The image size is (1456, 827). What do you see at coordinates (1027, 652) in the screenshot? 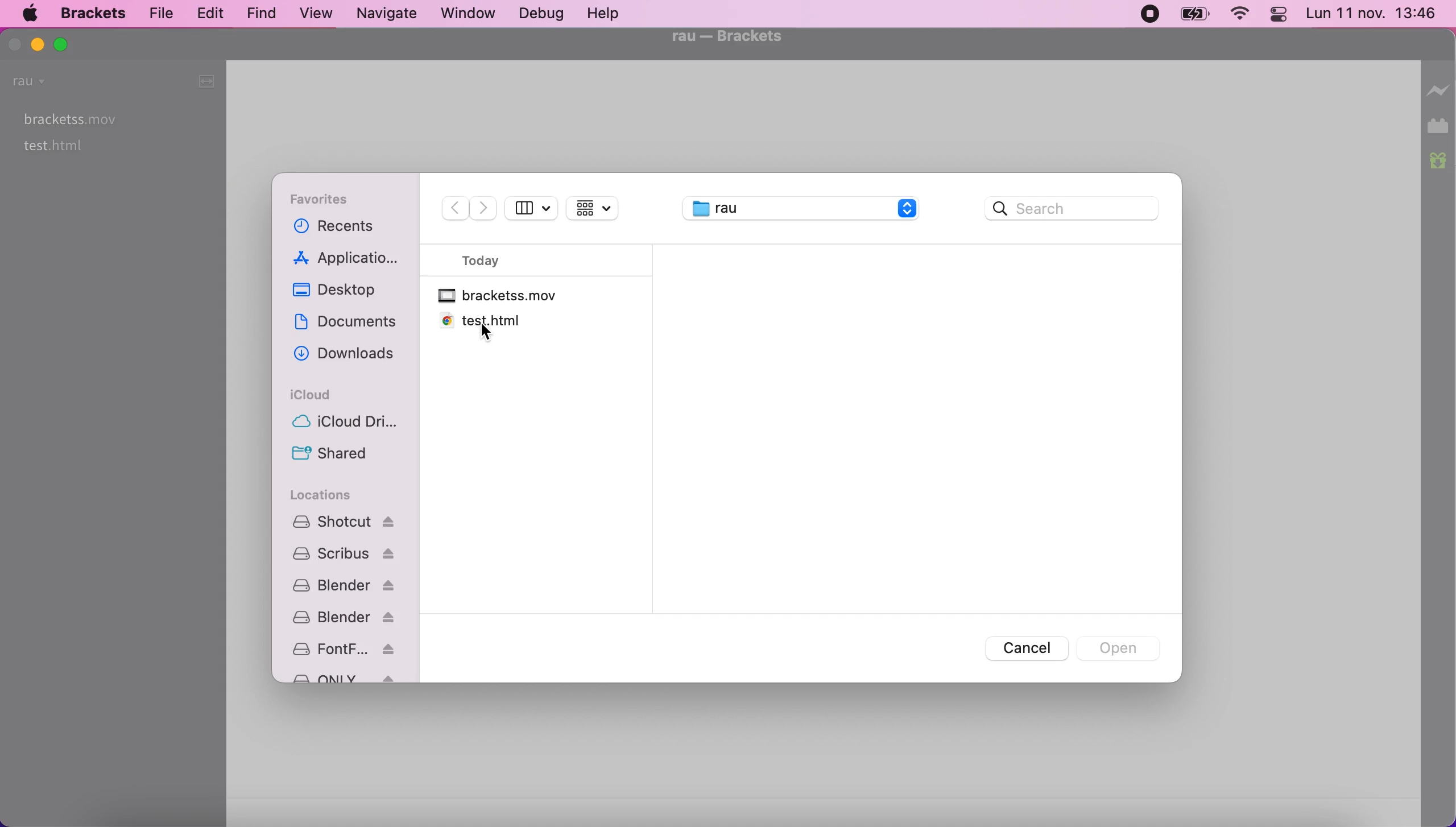
I see `cancel` at bounding box center [1027, 652].